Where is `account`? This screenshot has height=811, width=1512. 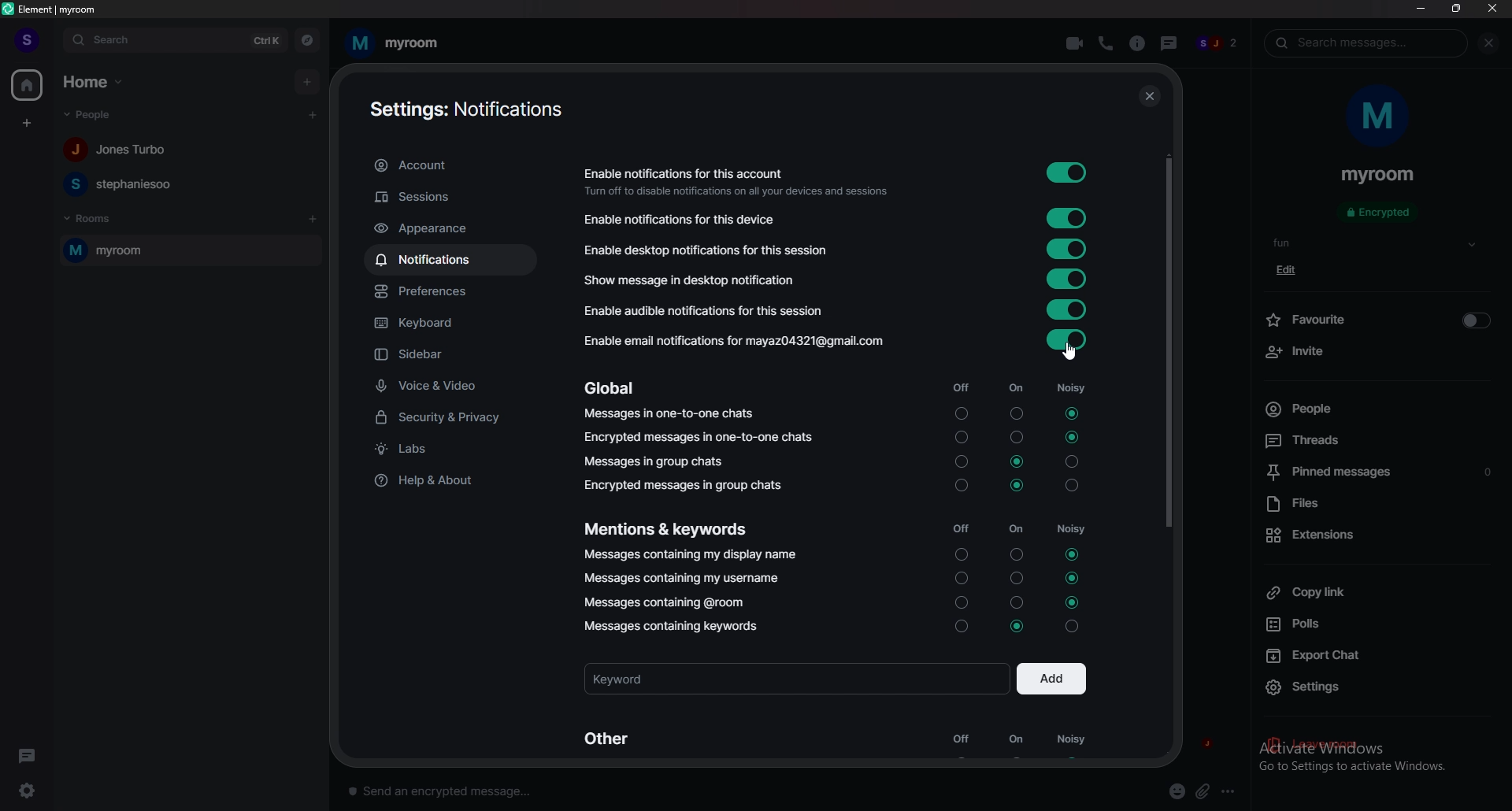 account is located at coordinates (452, 166).